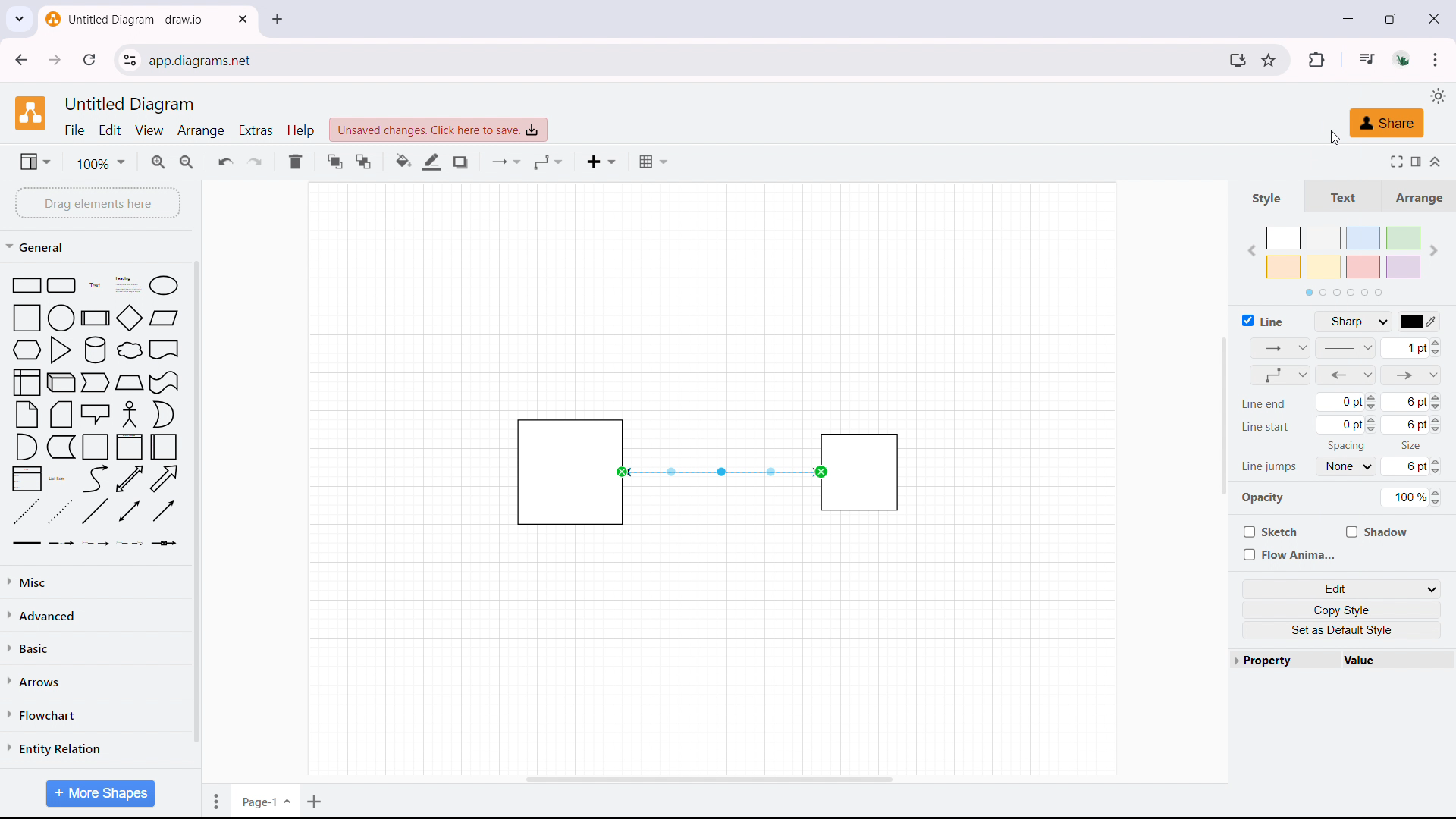 The image size is (1456, 819). I want to click on entity relation, so click(95, 748).